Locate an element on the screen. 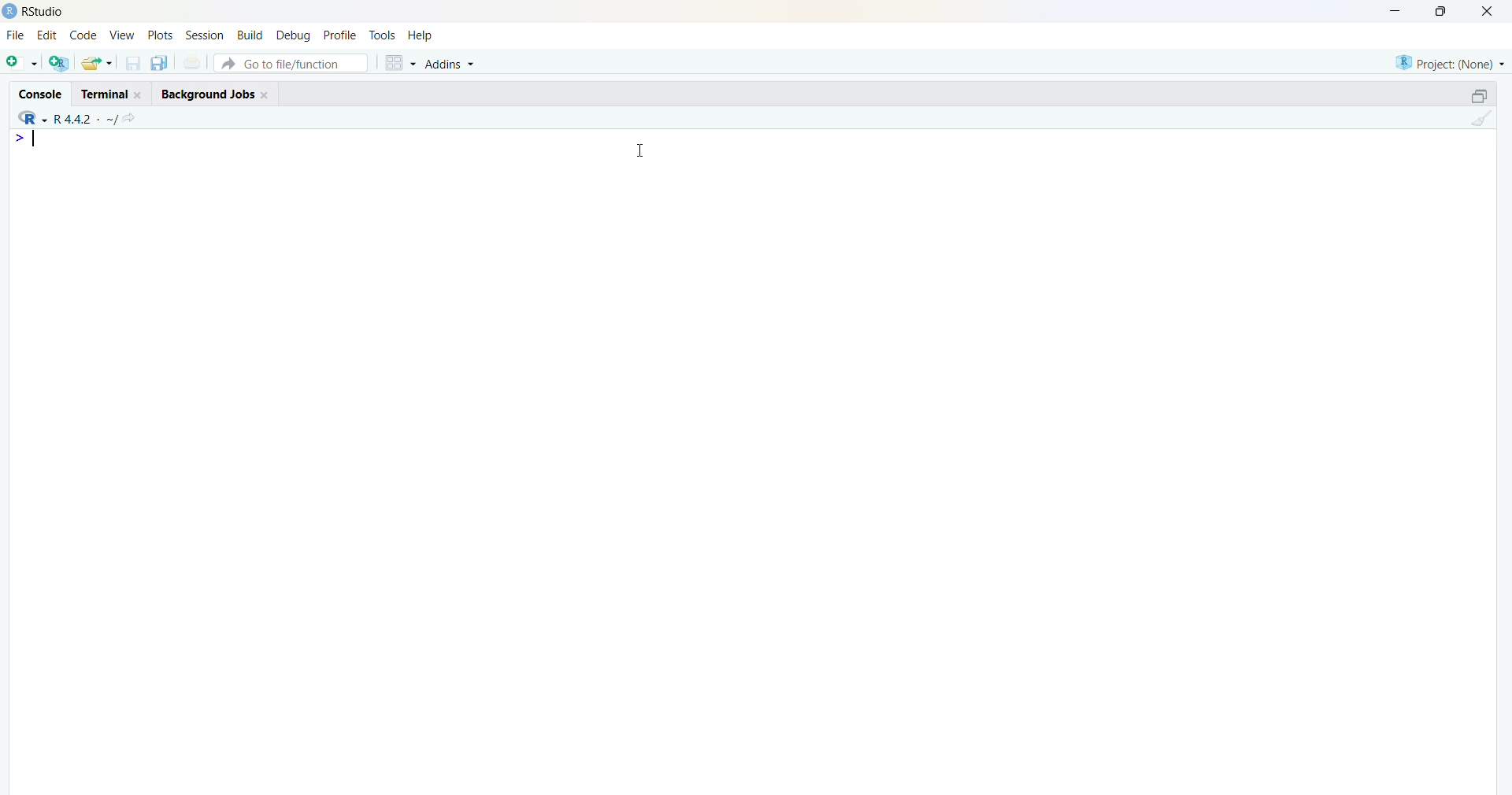 This screenshot has width=1512, height=795. # Go to file/function is located at coordinates (291, 63).